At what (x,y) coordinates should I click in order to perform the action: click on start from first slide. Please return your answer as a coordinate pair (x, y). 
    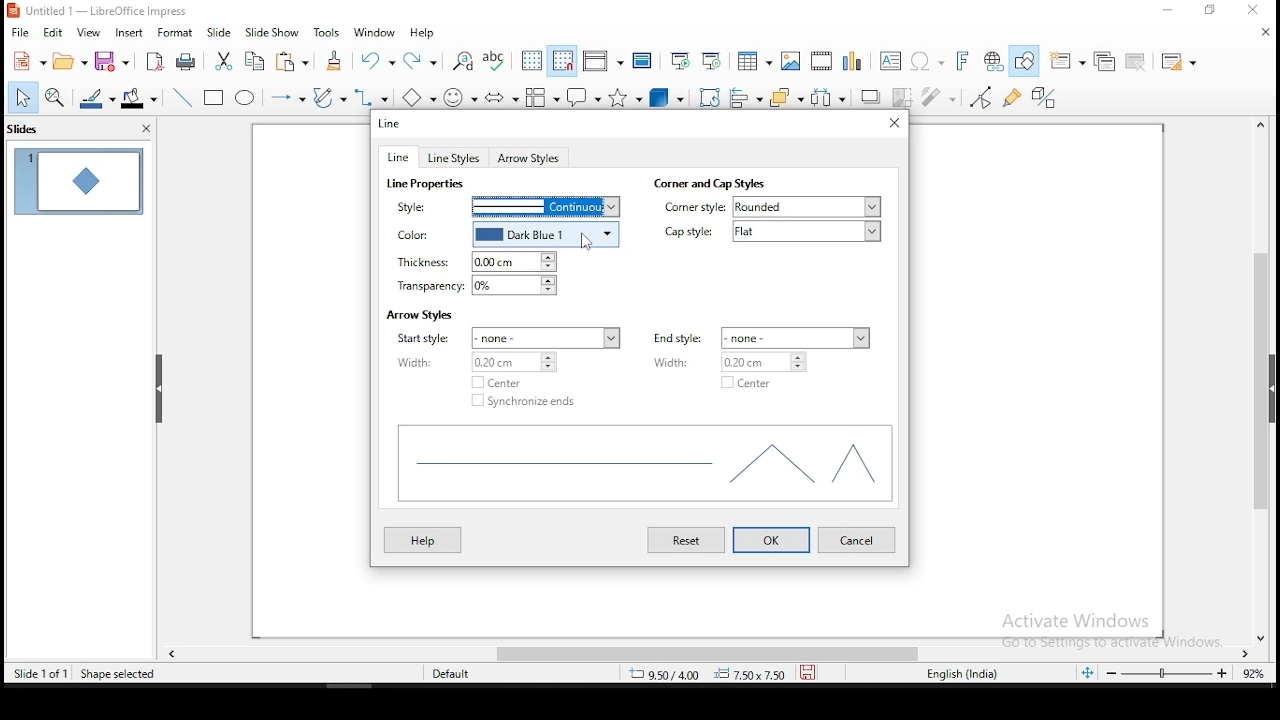
    Looking at the image, I should click on (679, 60).